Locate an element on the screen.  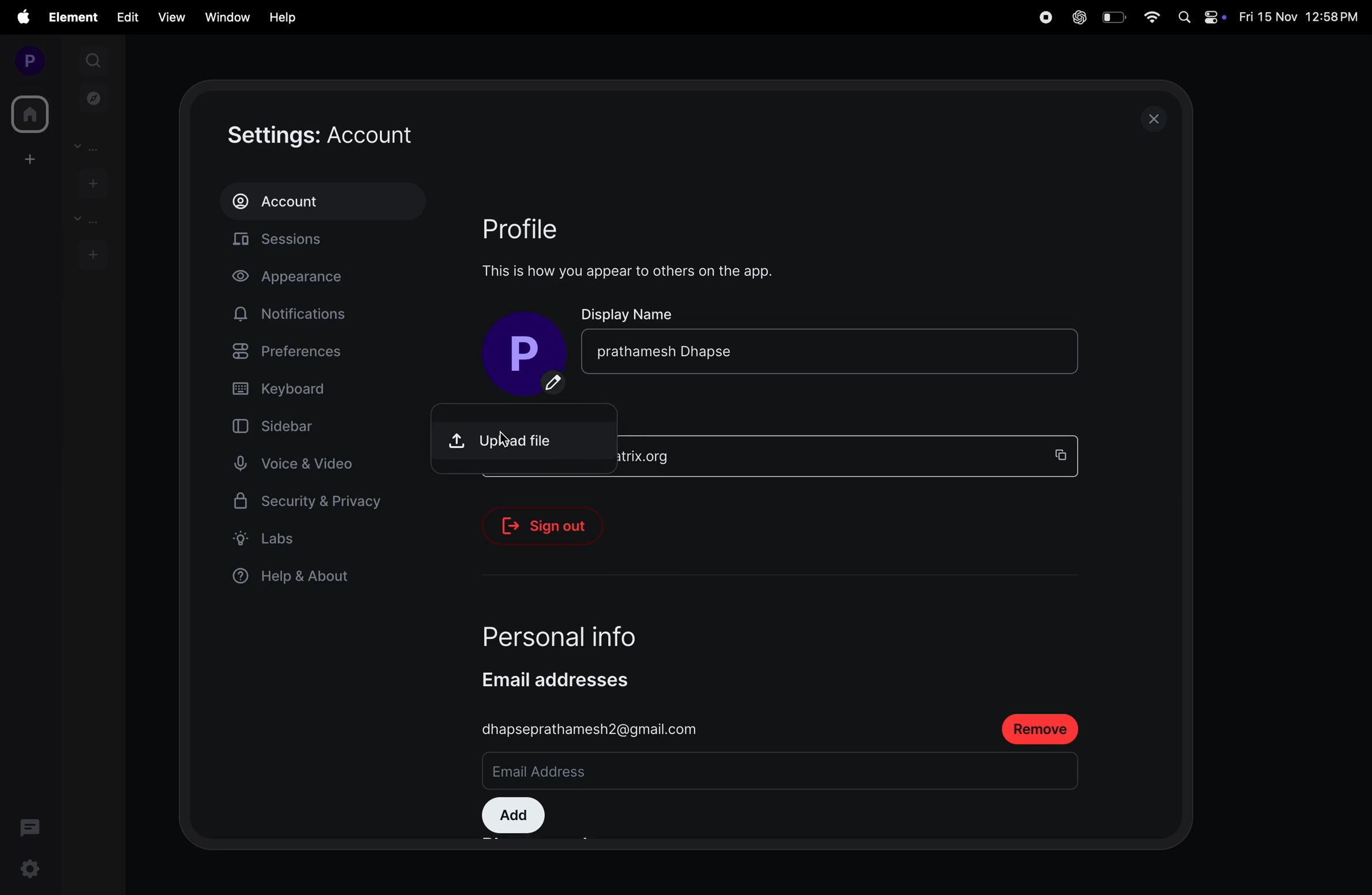
security and privacy is located at coordinates (309, 505).